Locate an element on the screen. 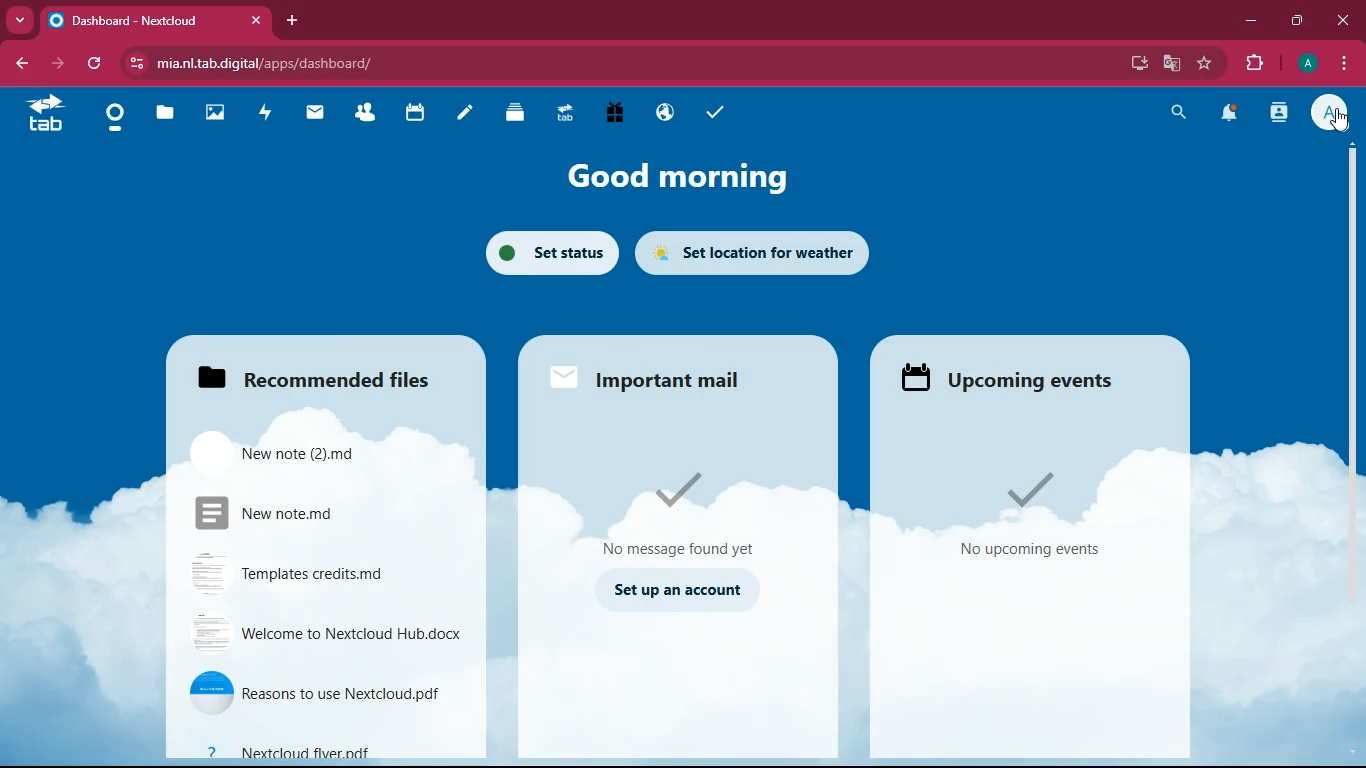  favourite is located at coordinates (1205, 63).